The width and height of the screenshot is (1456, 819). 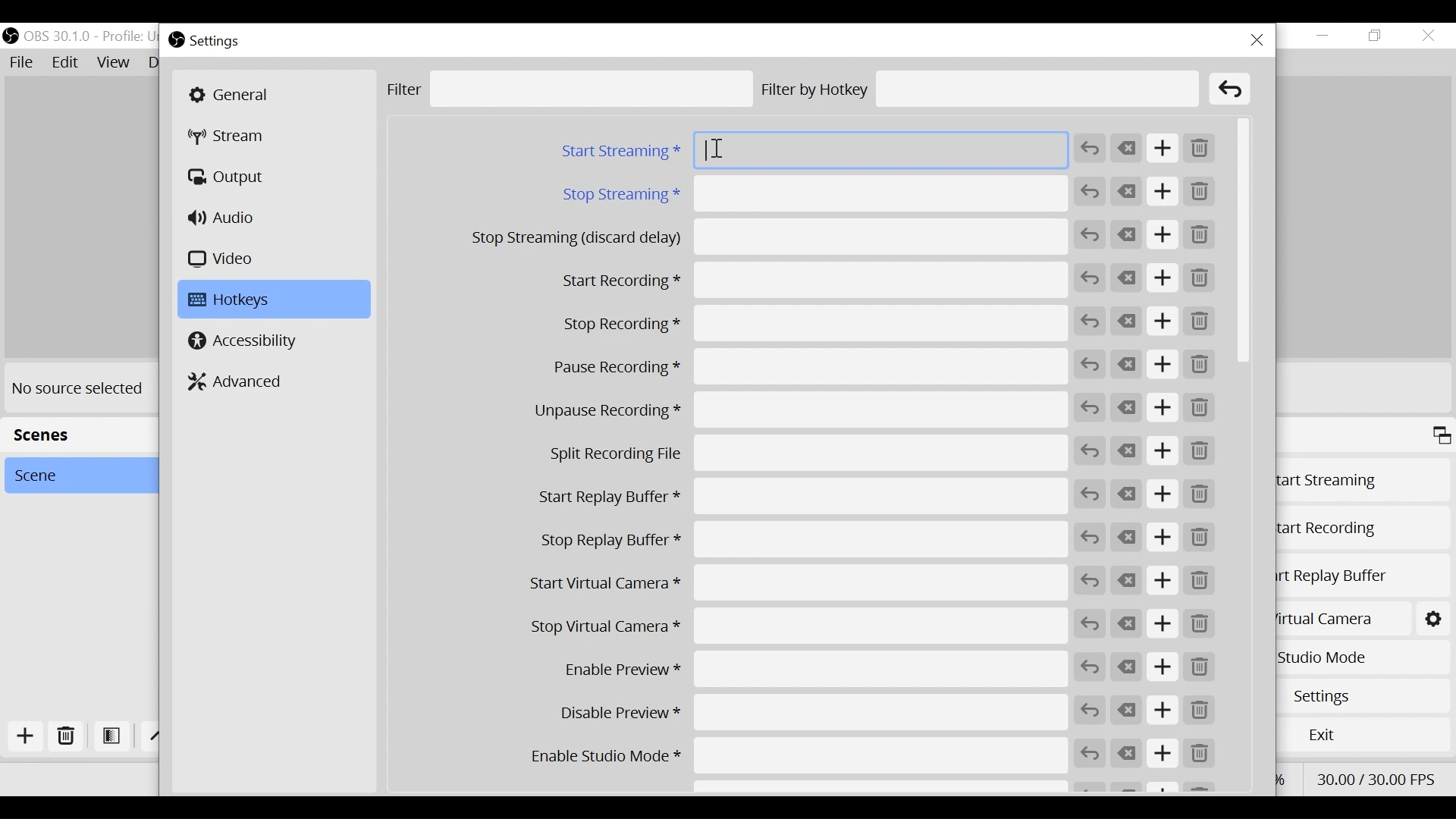 I want to click on Split Recording File, so click(x=798, y=454).